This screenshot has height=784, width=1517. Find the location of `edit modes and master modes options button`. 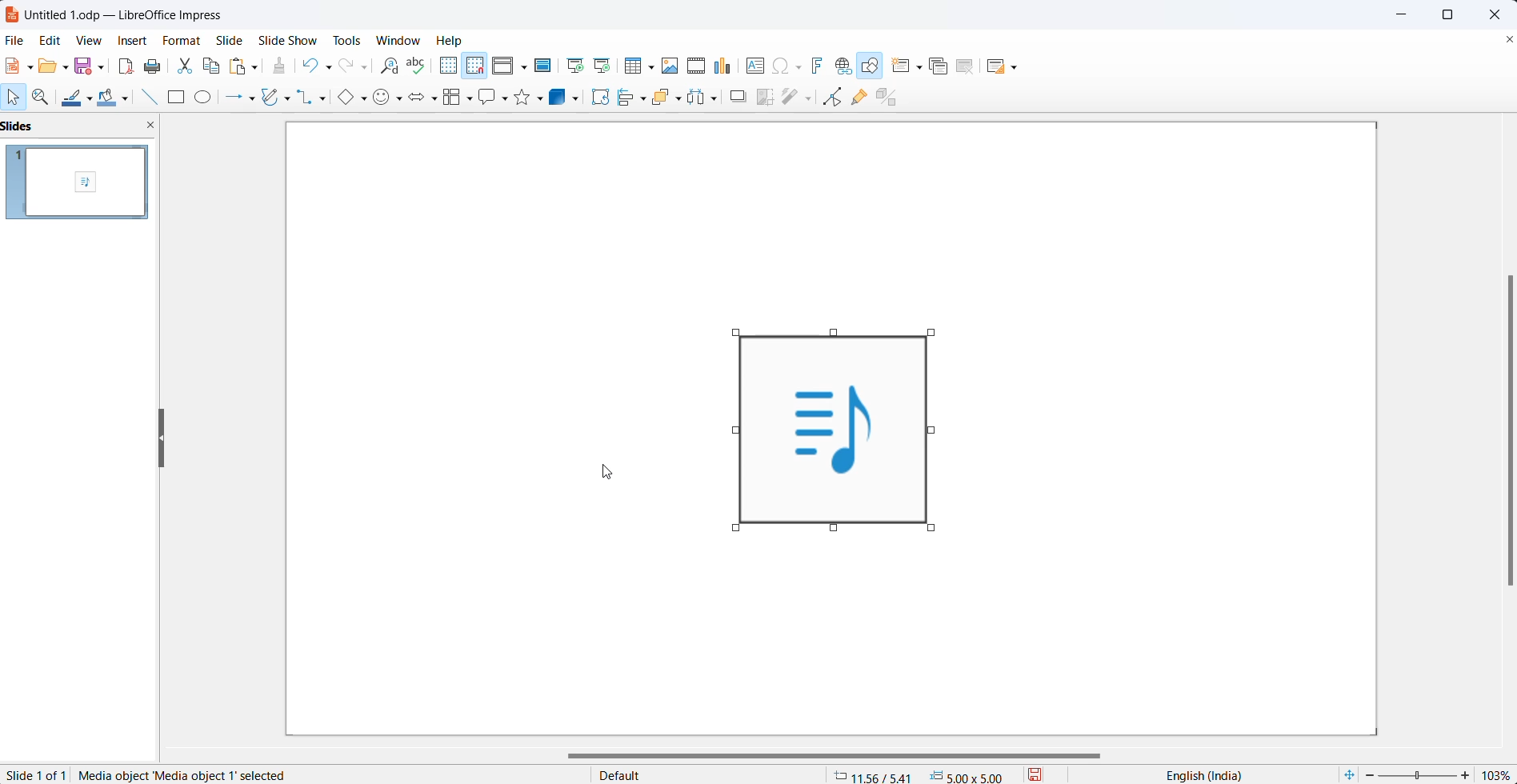

edit modes and master modes options button is located at coordinates (526, 68).